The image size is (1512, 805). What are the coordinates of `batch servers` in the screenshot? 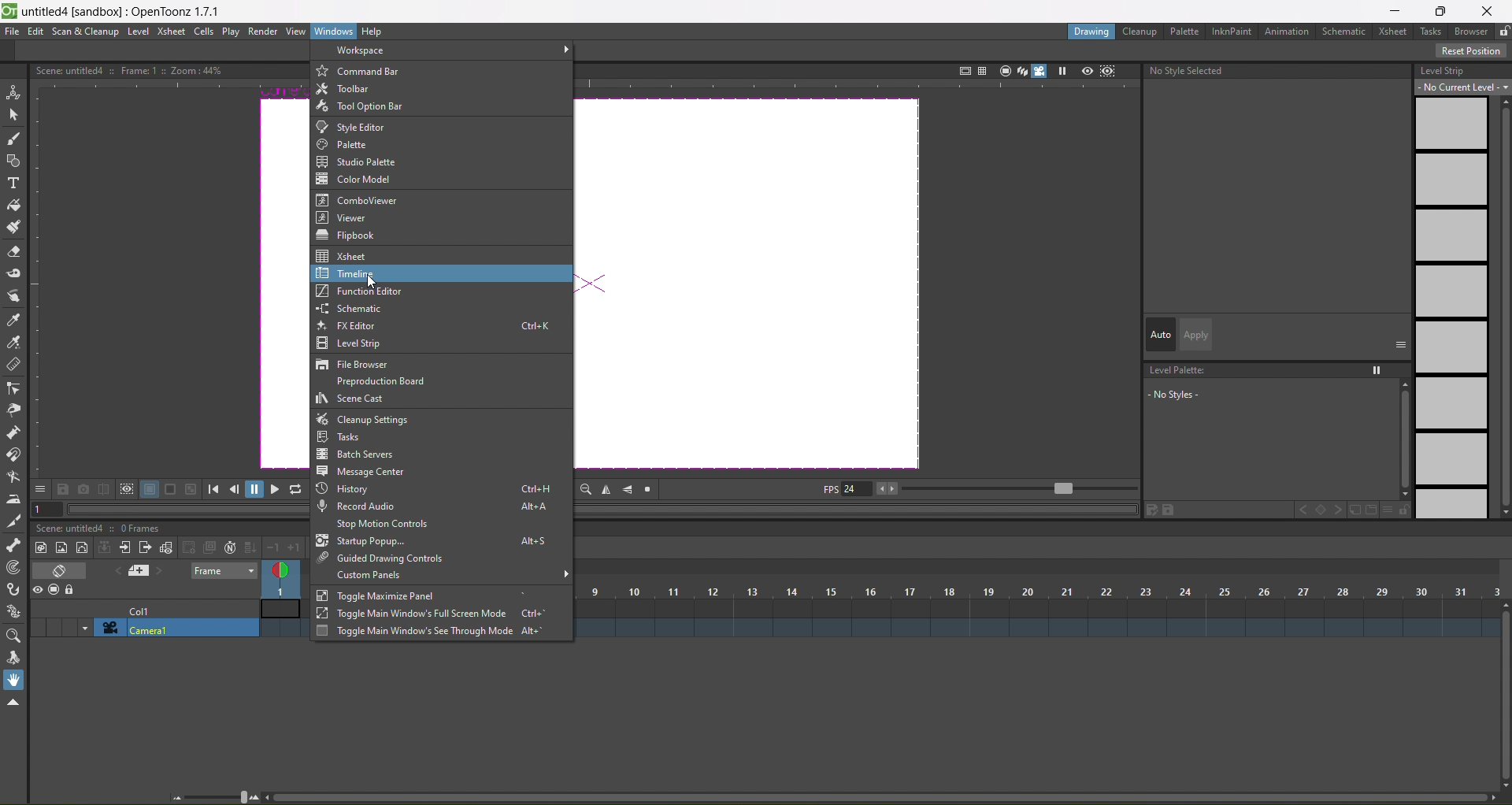 It's located at (359, 454).